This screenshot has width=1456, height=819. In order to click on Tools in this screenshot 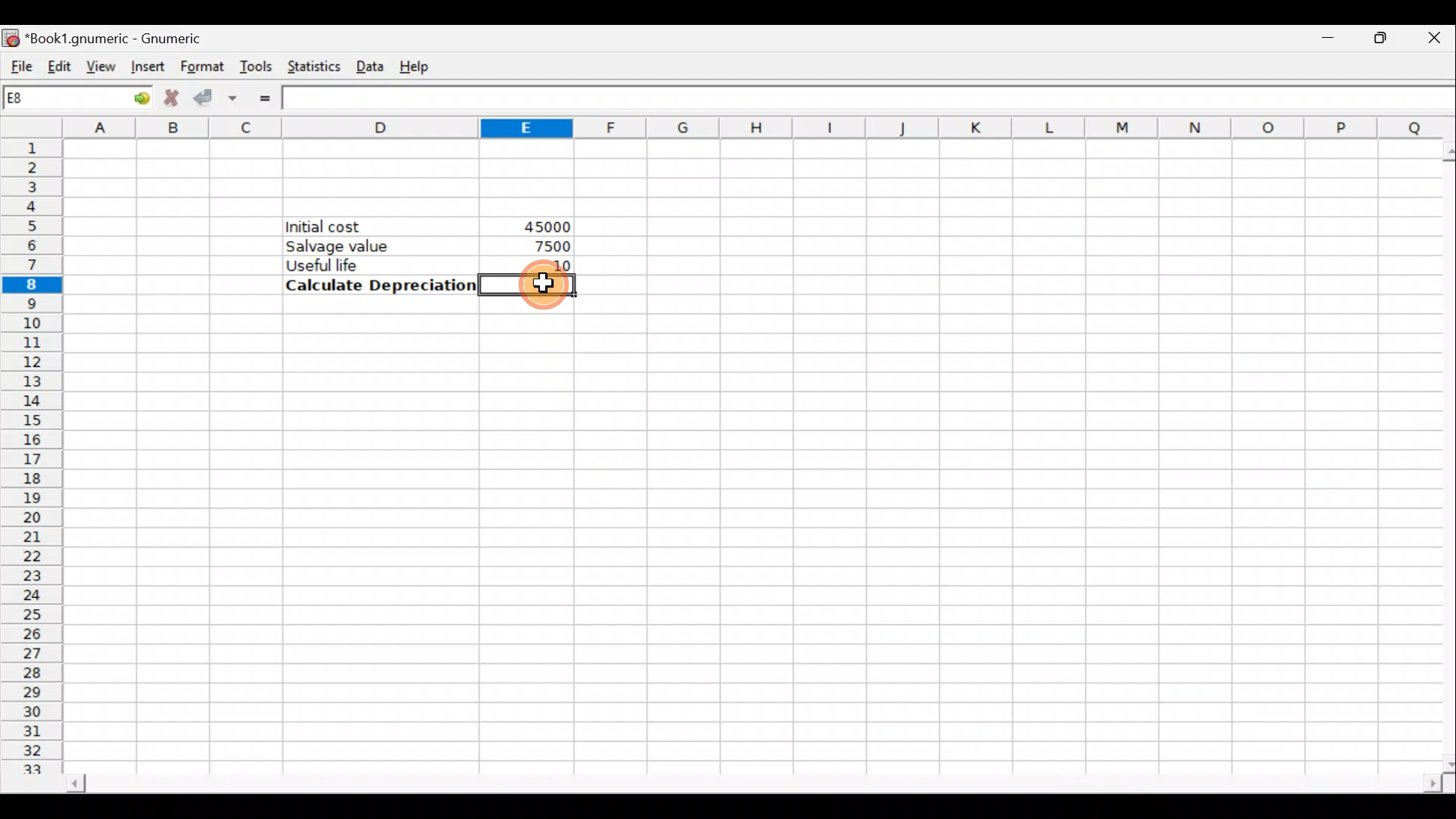, I will do `click(258, 65)`.